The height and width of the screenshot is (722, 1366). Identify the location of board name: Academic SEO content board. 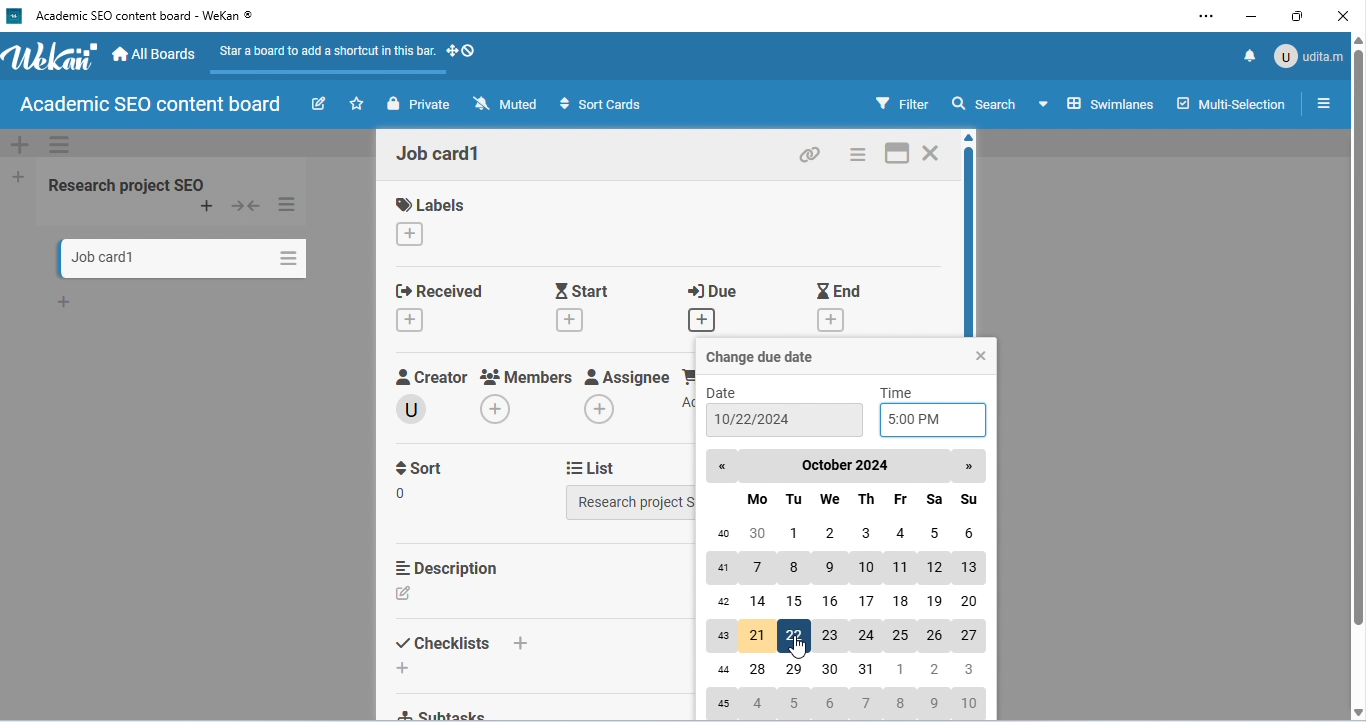
(147, 106).